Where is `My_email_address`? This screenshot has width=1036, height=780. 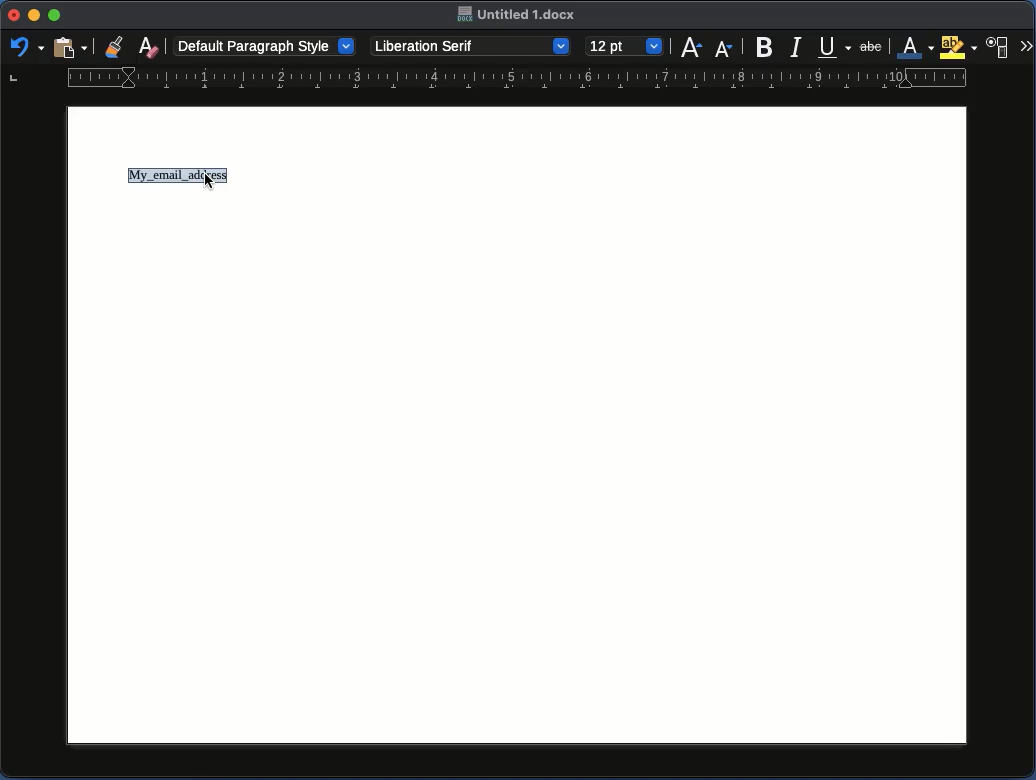 My_email_address is located at coordinates (174, 177).